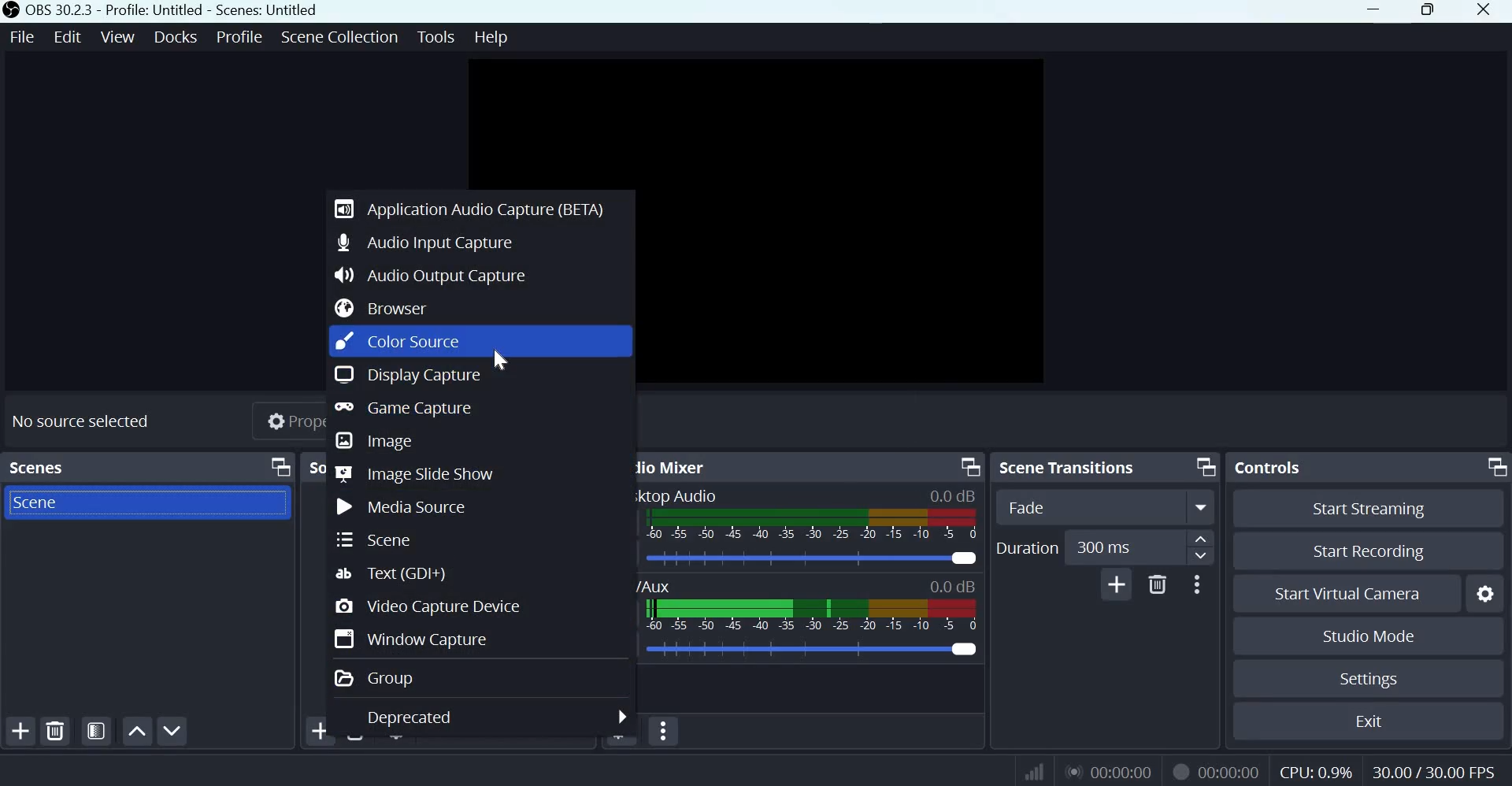 The width and height of the screenshot is (1512, 786). Describe the element at coordinates (11, 11) in the screenshot. I see `OBS studio logo` at that location.